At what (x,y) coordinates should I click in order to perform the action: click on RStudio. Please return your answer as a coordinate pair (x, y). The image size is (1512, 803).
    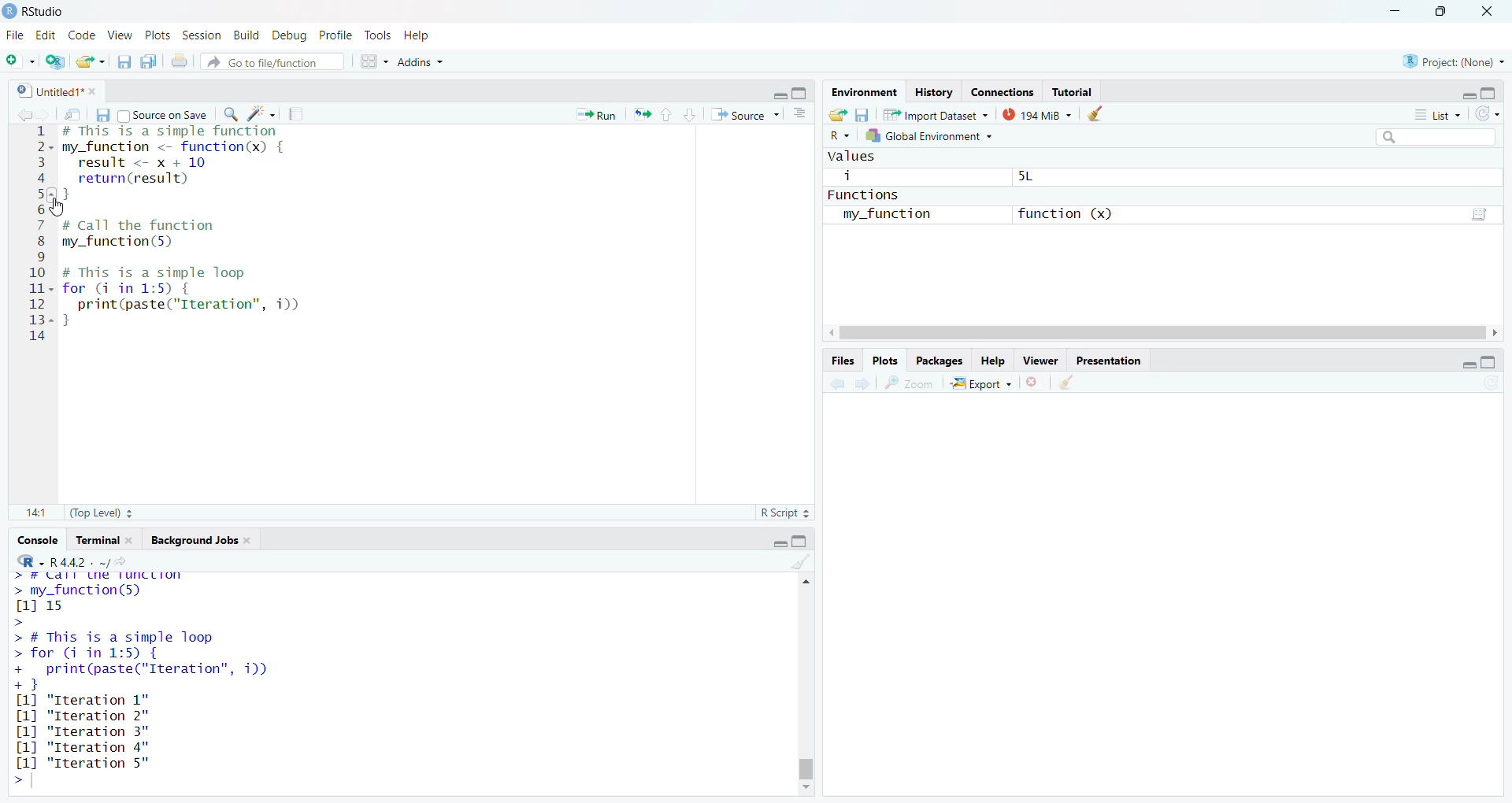
    Looking at the image, I should click on (51, 9).